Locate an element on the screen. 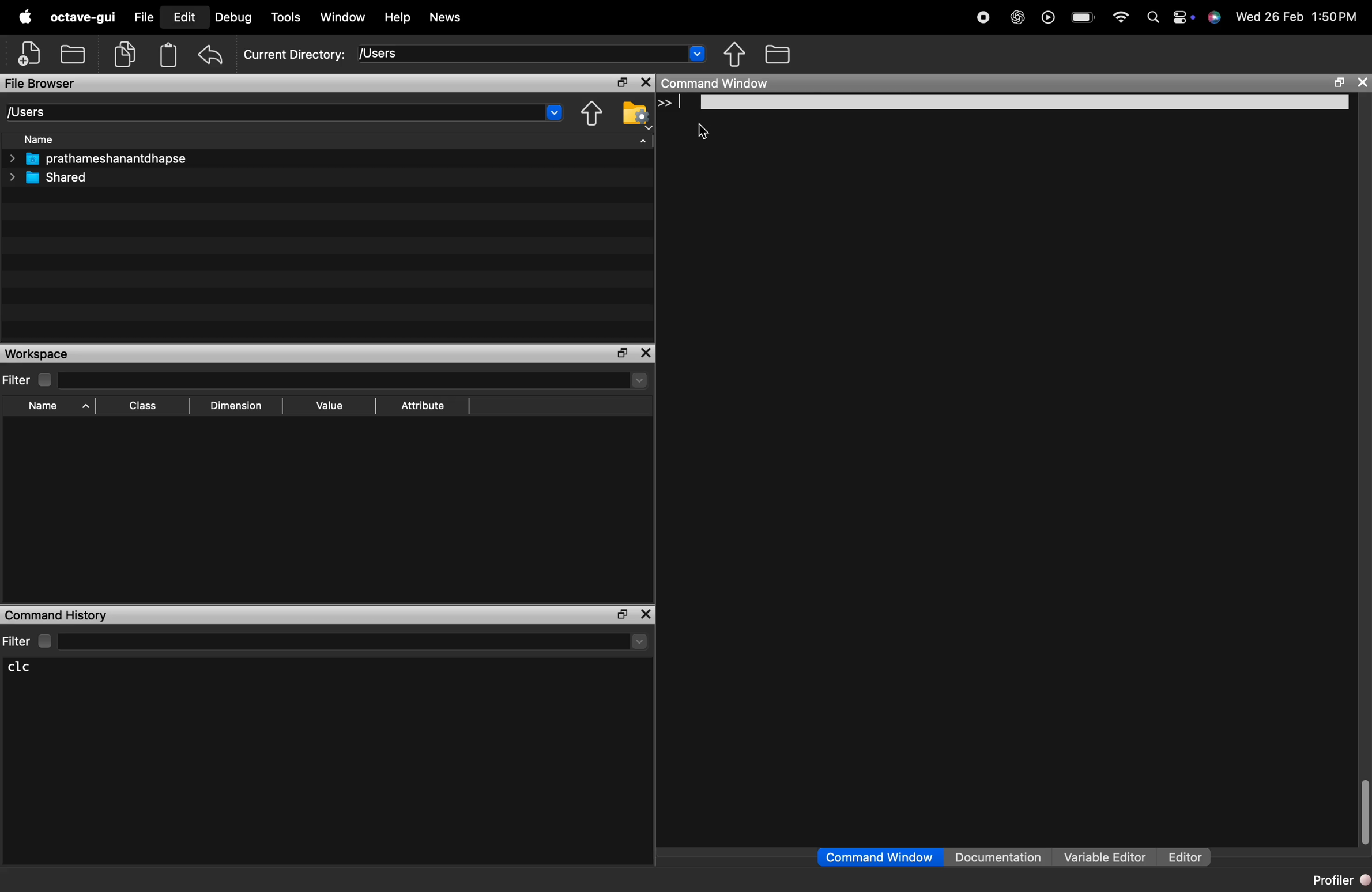  Browse directories is located at coordinates (780, 54).